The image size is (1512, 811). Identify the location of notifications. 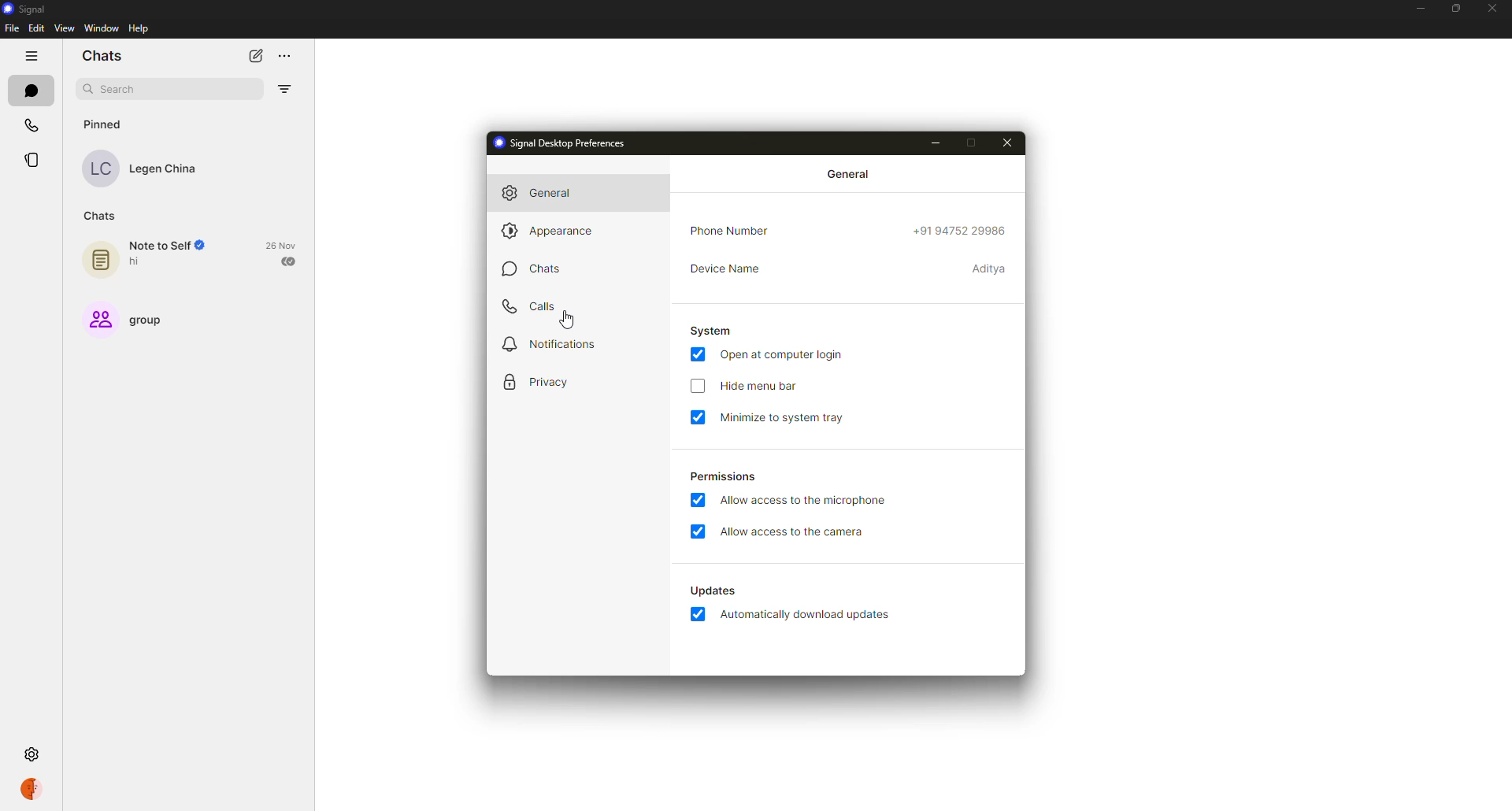
(550, 343).